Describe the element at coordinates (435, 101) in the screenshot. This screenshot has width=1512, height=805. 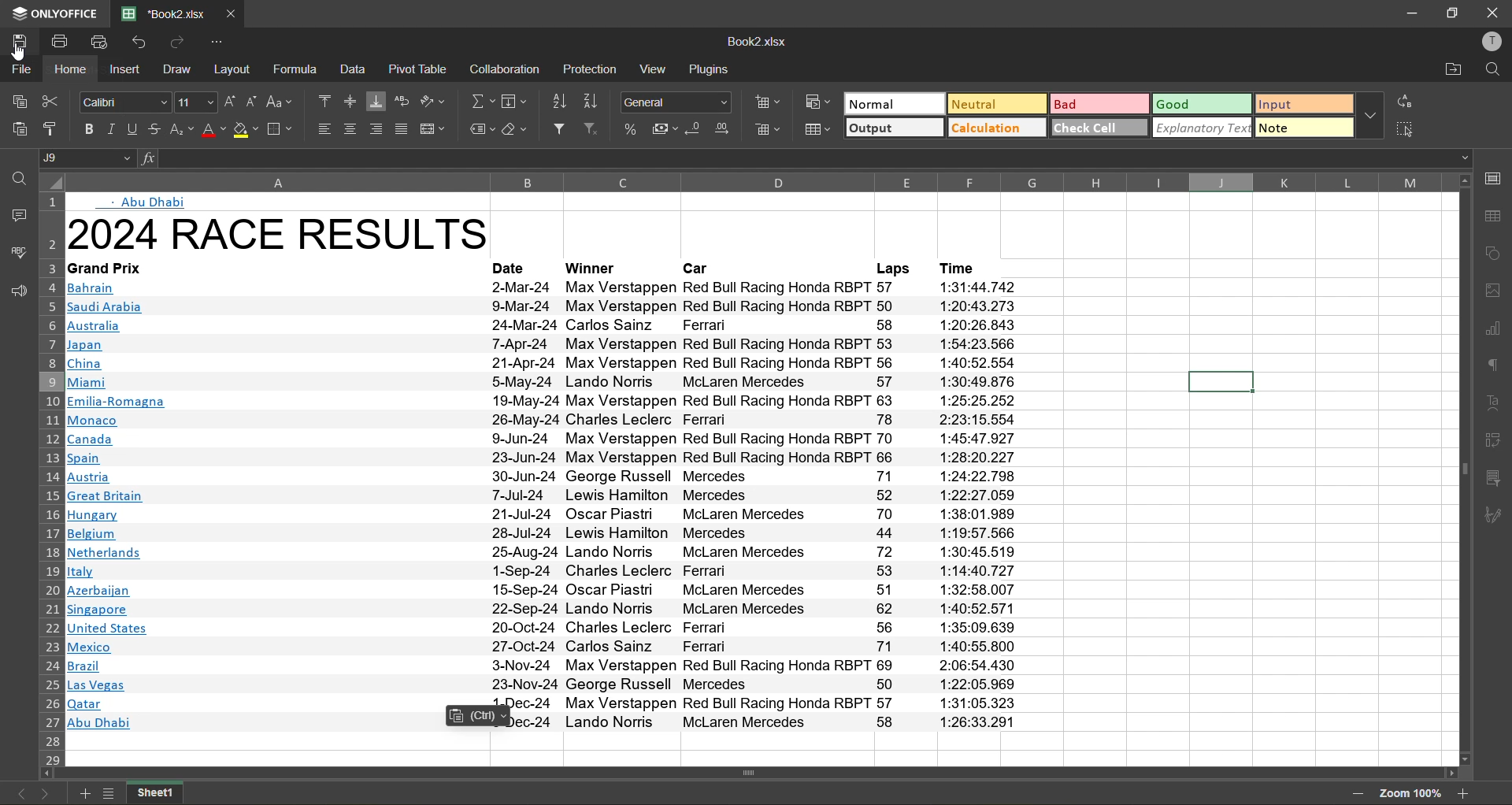
I see `orientation` at that location.